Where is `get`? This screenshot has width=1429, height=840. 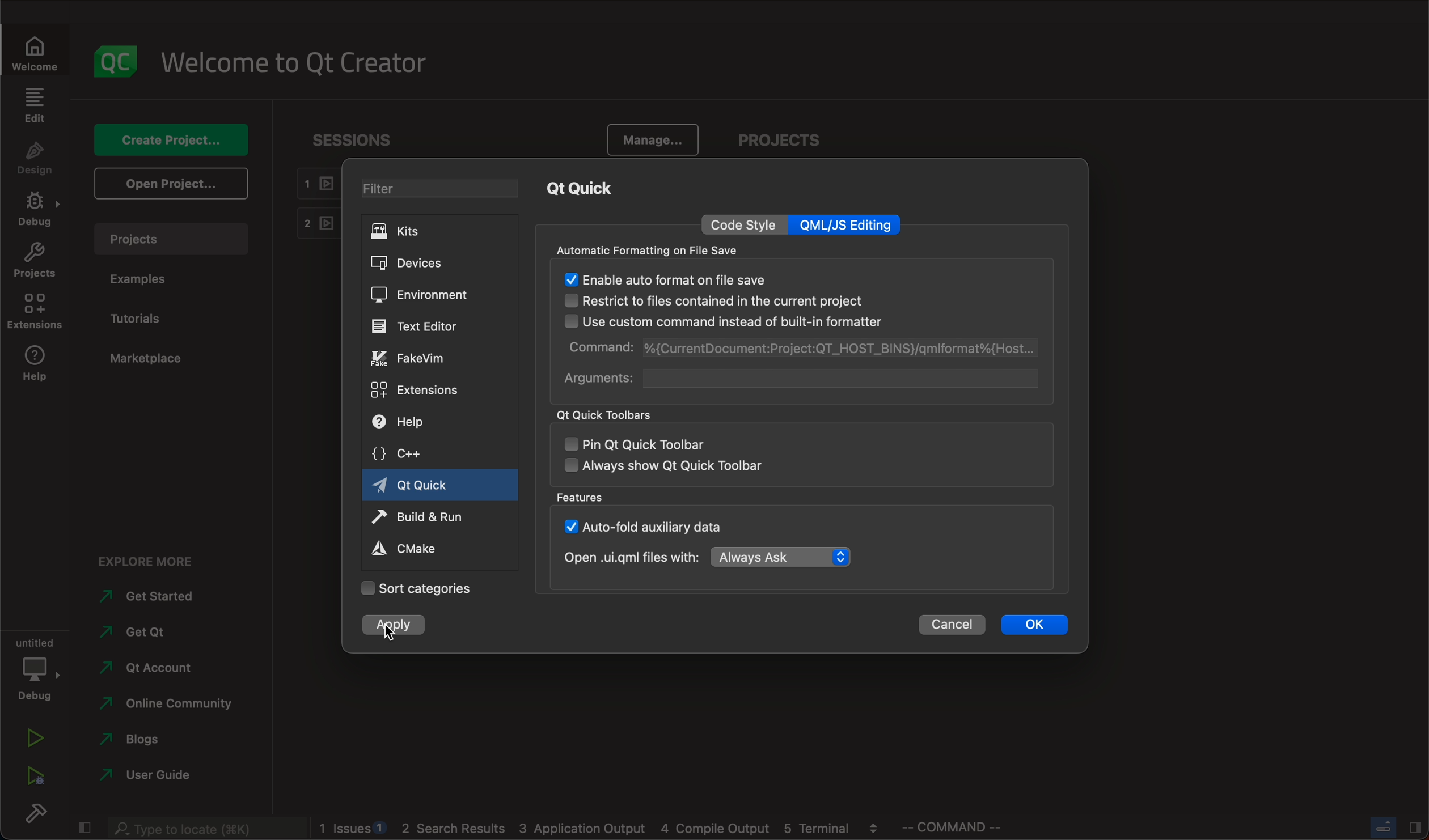
get is located at coordinates (147, 631).